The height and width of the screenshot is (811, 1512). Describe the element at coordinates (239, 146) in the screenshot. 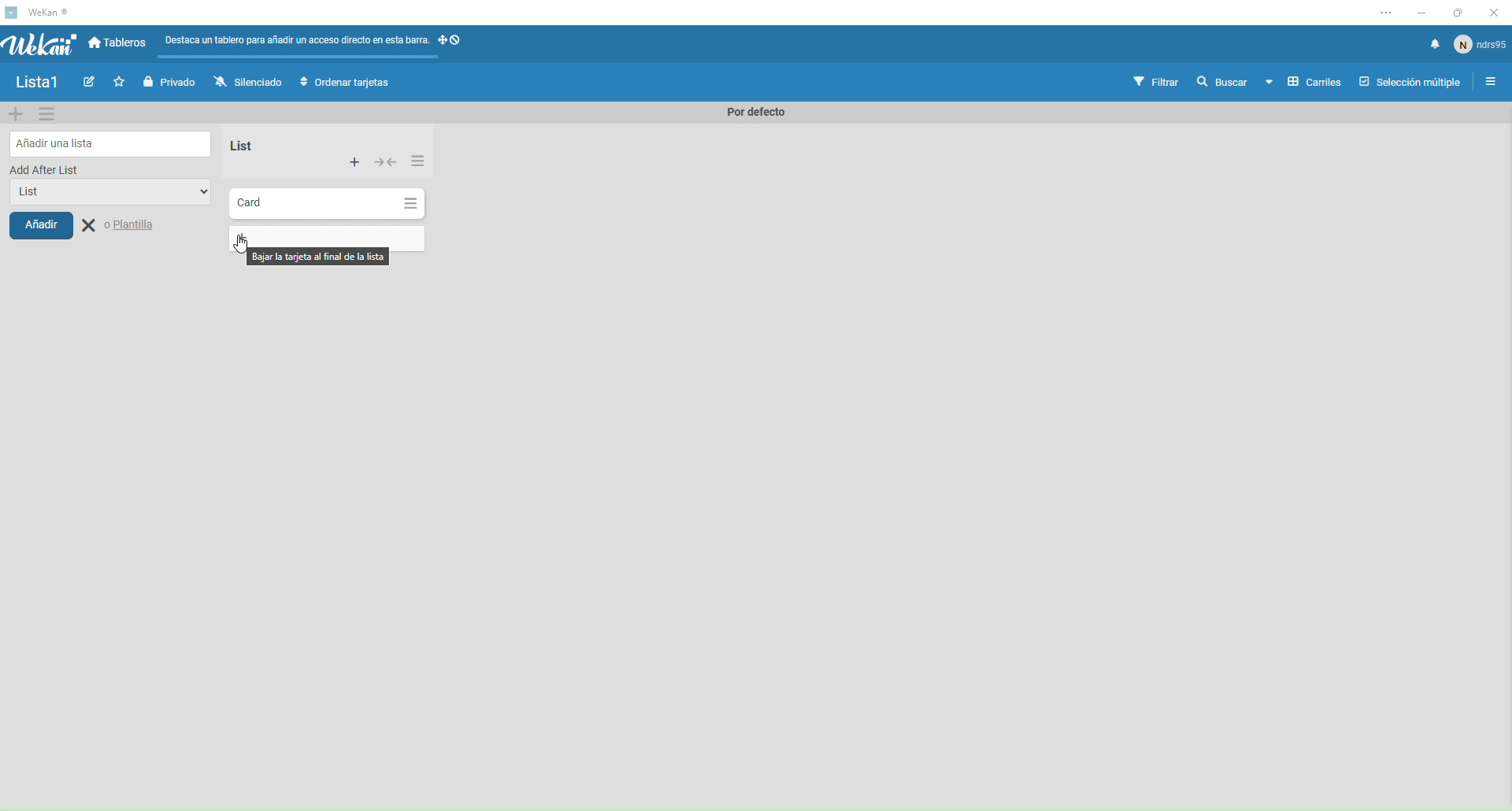

I see `List` at that location.